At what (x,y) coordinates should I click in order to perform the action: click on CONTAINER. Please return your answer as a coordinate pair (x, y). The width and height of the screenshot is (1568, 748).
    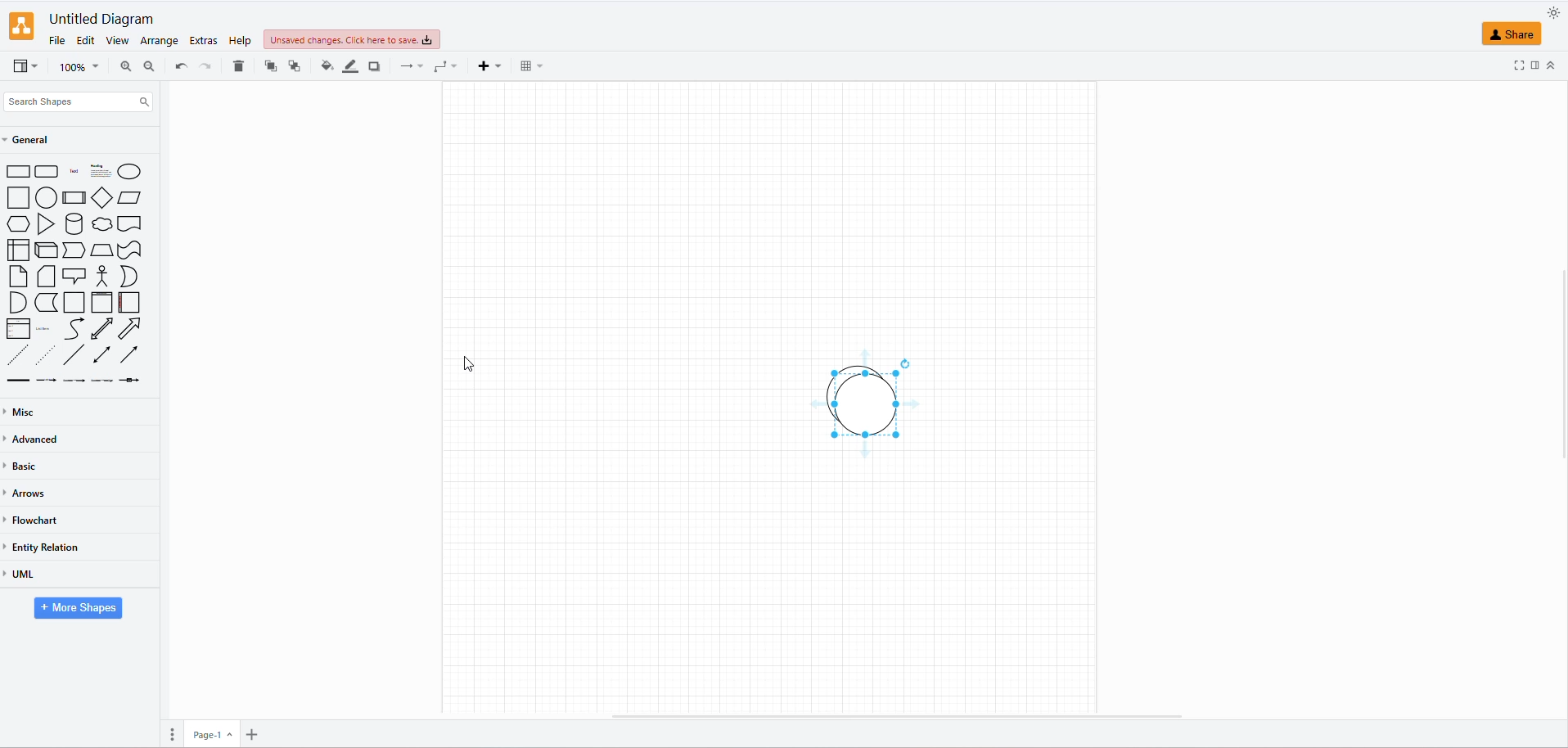
    Looking at the image, I should click on (100, 302).